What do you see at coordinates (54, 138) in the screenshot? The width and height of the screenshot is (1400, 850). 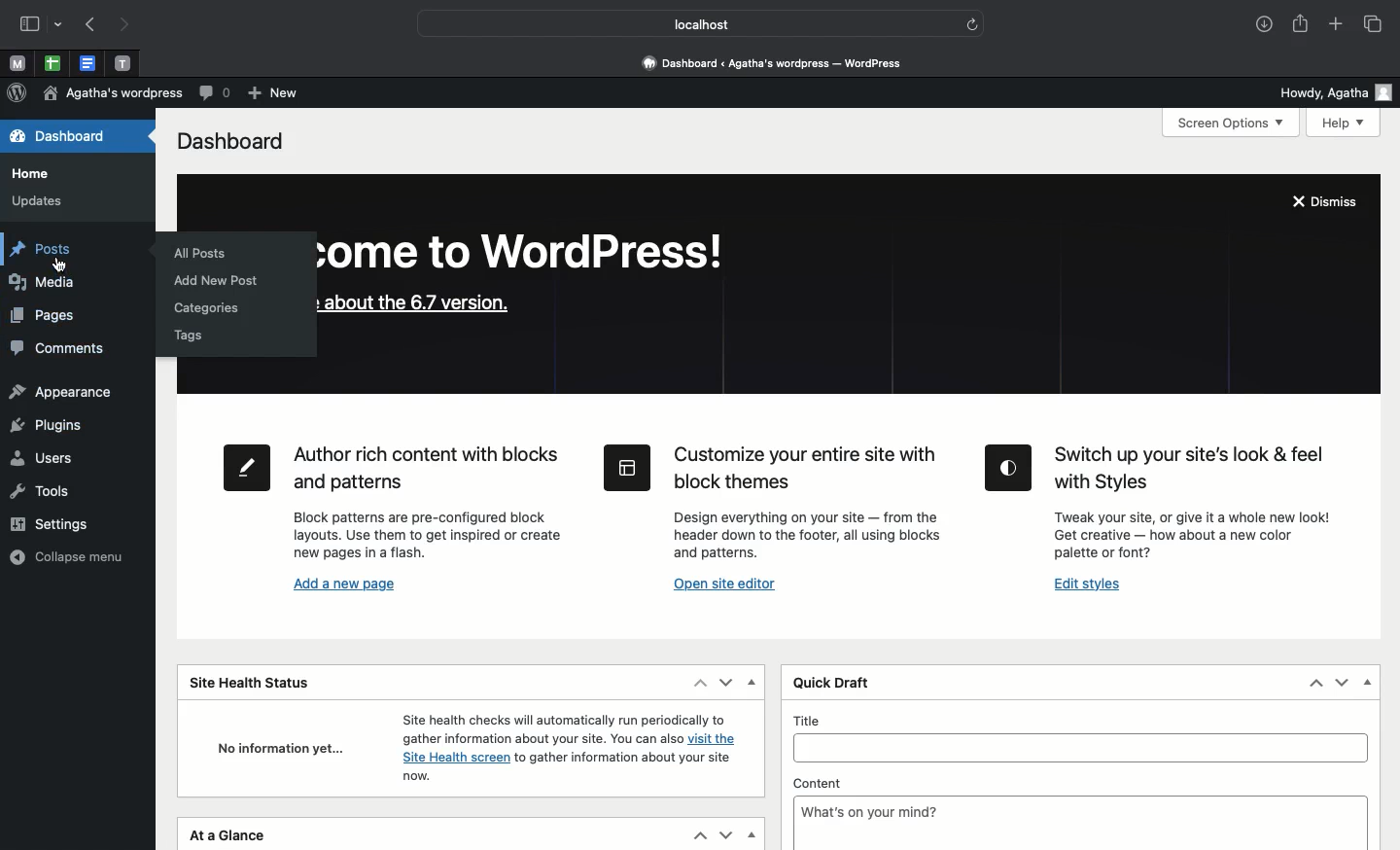 I see `Dashboard` at bounding box center [54, 138].